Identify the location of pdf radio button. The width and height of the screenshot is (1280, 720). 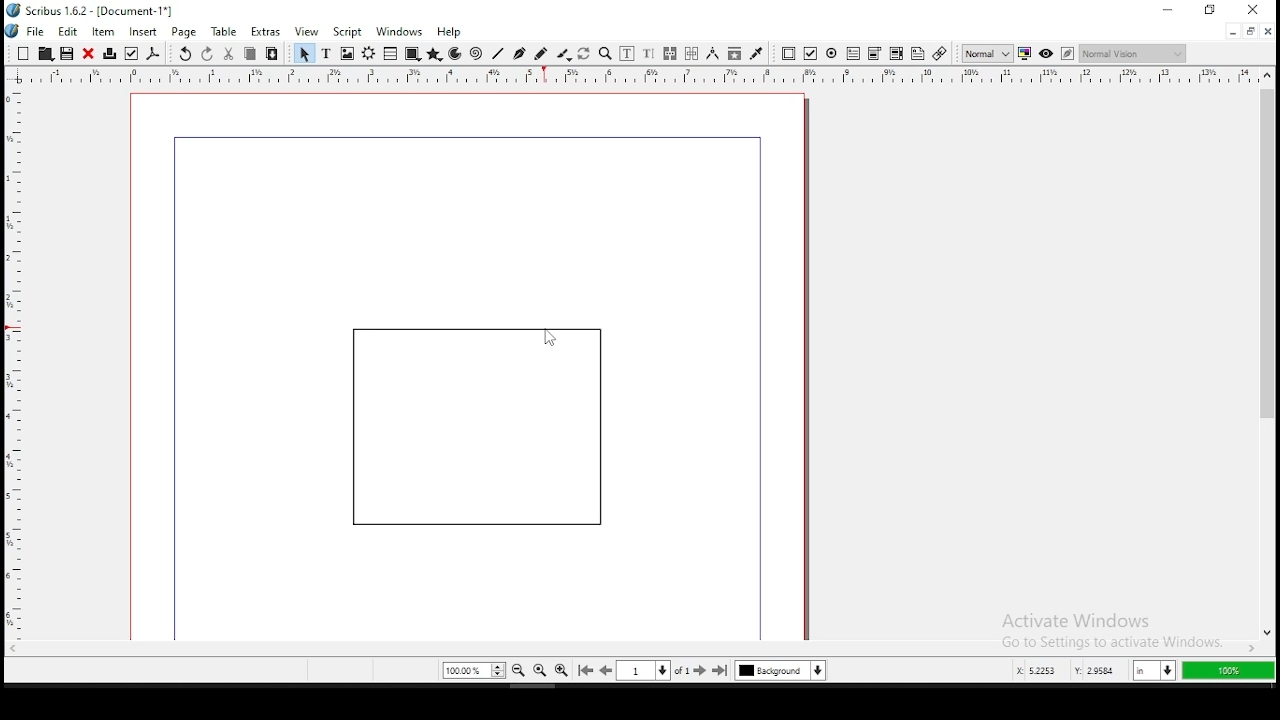
(832, 53).